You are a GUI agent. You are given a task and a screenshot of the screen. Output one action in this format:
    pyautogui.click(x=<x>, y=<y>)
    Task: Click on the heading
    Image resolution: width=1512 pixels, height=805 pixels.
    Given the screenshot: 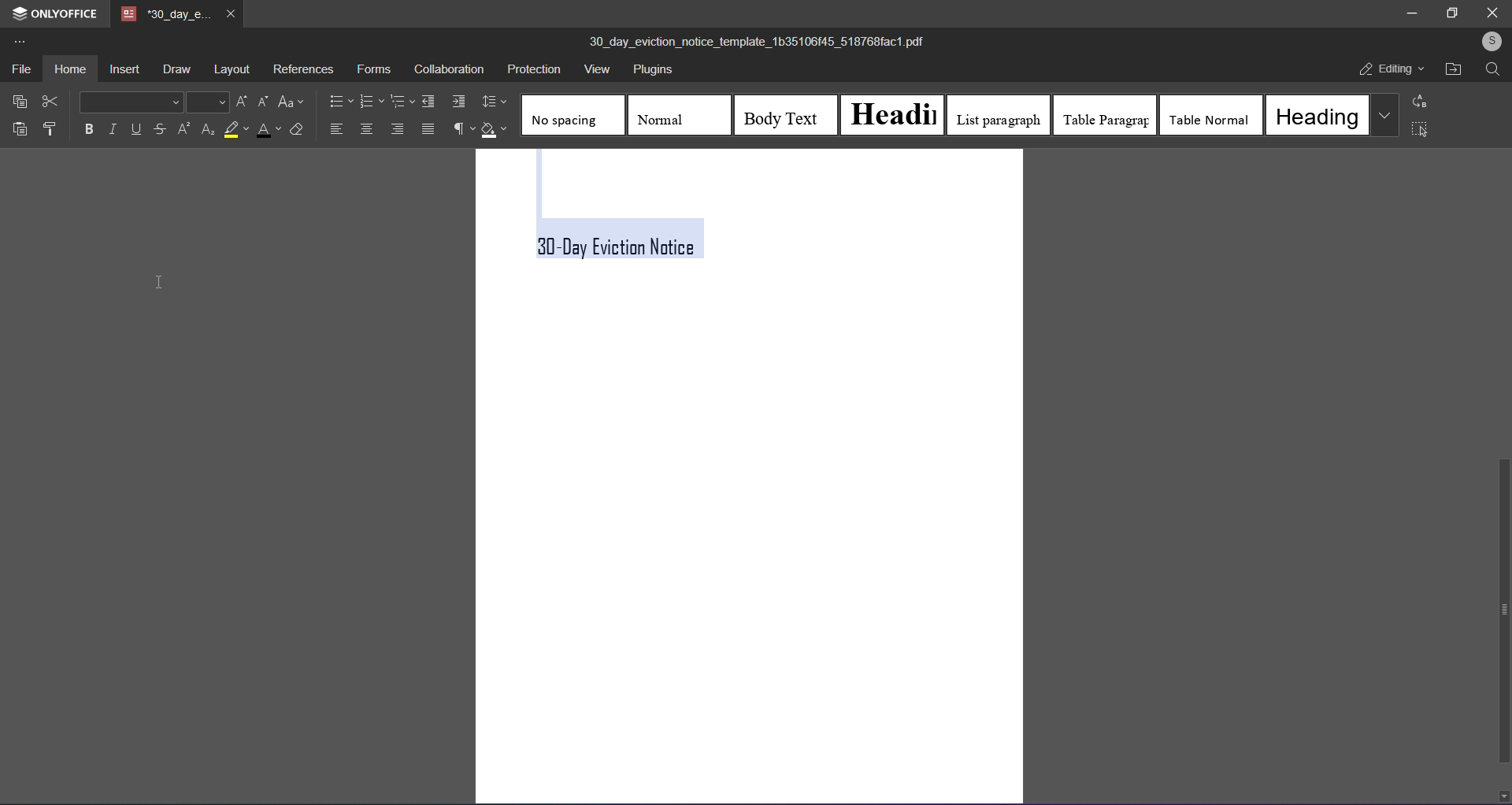 What is the action you would take?
    pyautogui.click(x=896, y=113)
    